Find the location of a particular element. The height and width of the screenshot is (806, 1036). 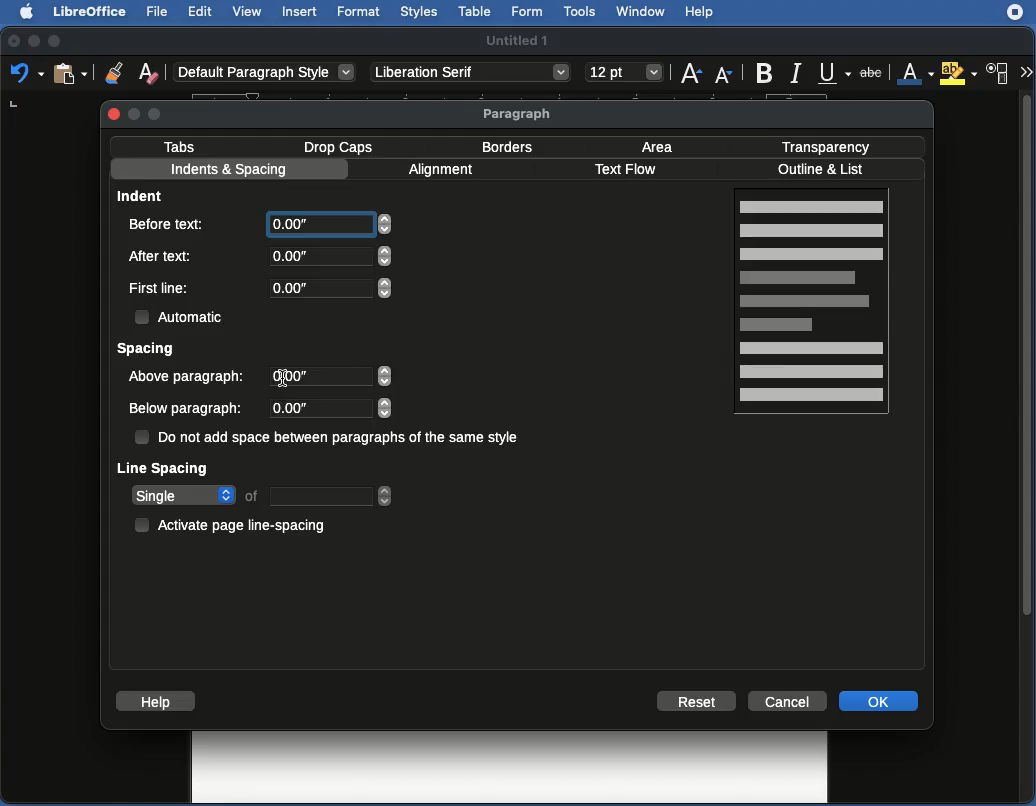

After text is located at coordinates (164, 255).